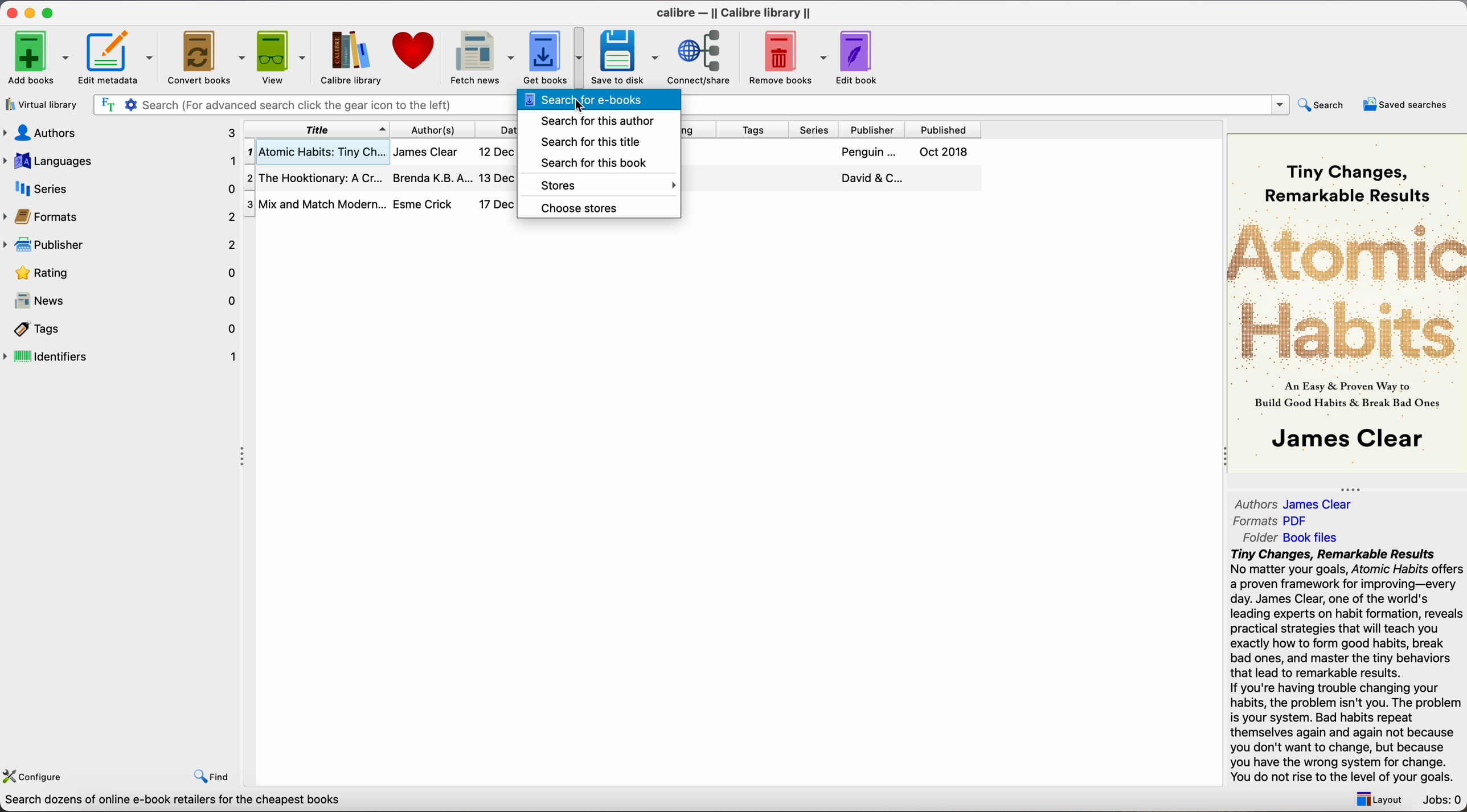 The height and width of the screenshot is (812, 1467). Describe the element at coordinates (315, 205) in the screenshot. I see `Mix and Match Modern...` at that location.